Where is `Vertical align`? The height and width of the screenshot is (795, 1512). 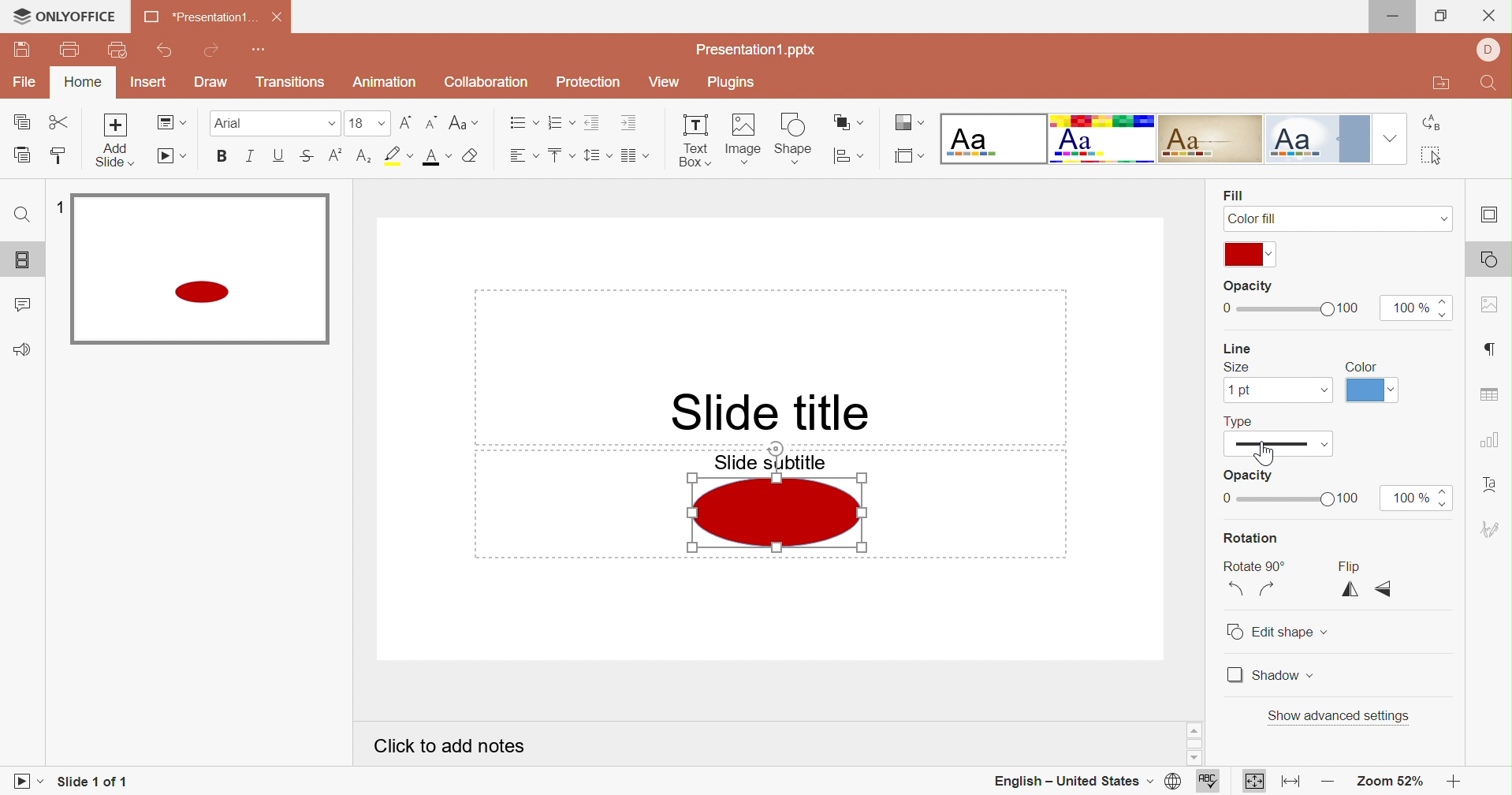 Vertical align is located at coordinates (559, 155).